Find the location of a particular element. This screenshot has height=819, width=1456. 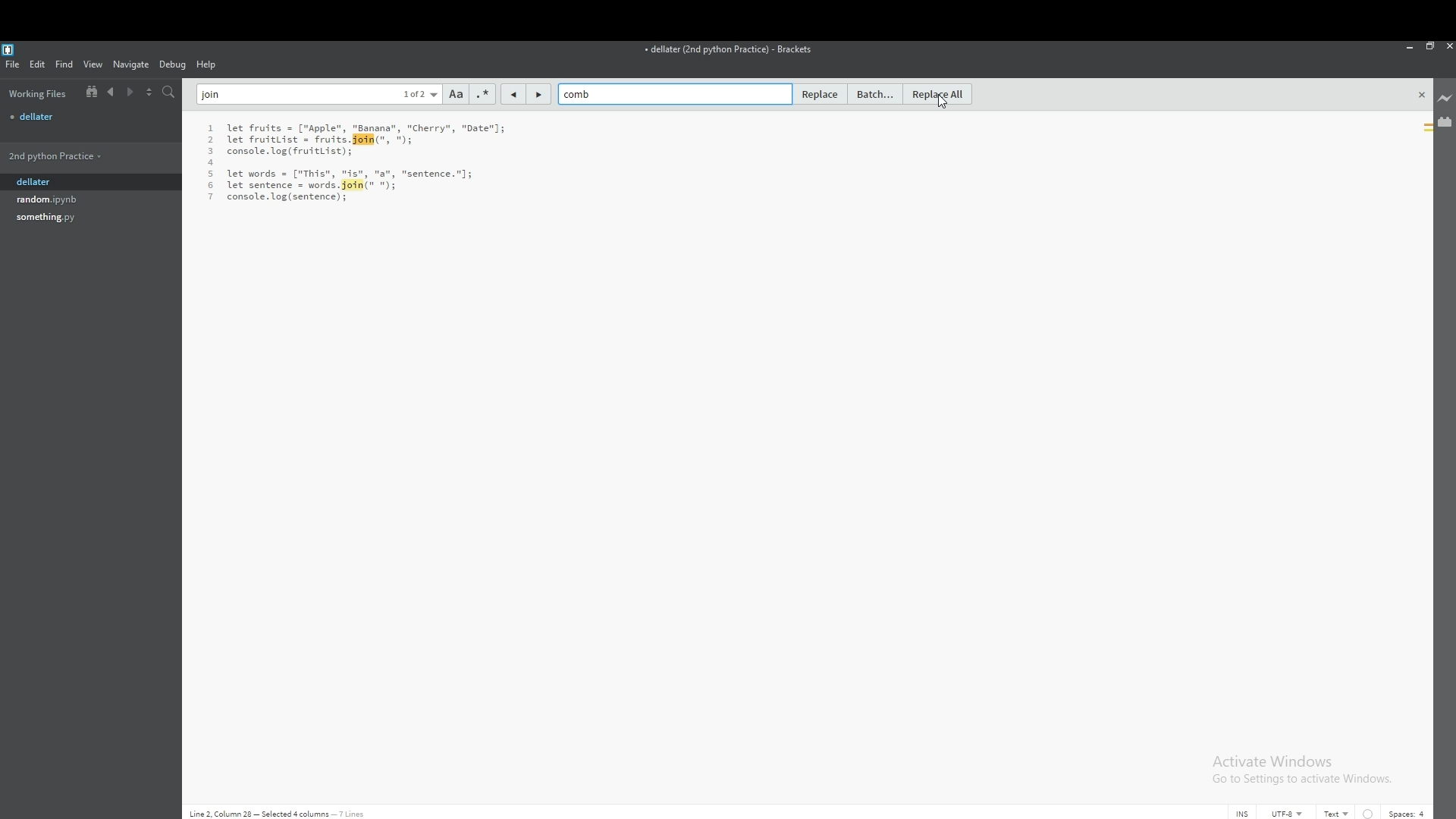

previous match is located at coordinates (512, 95).